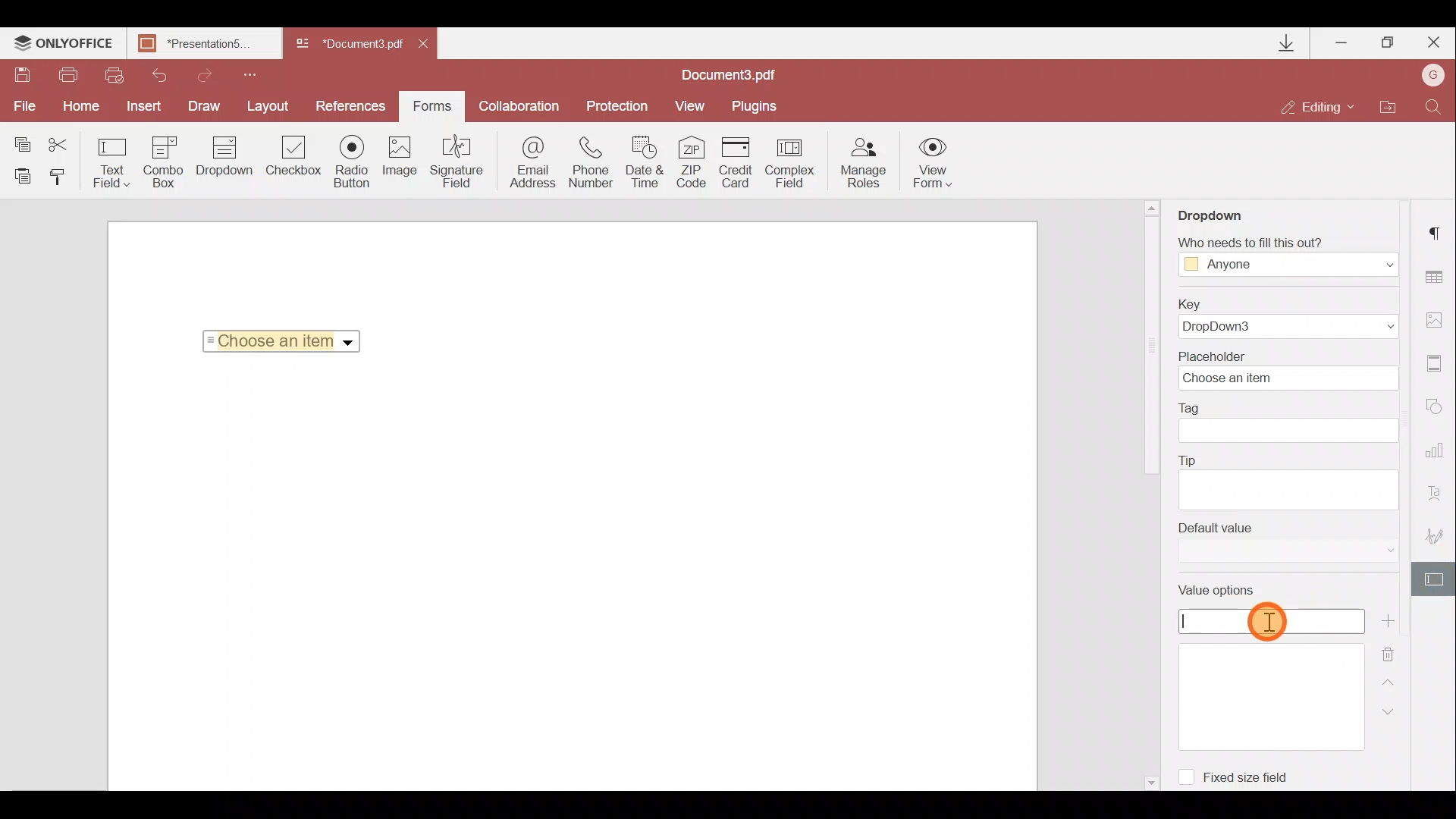 Image resolution: width=1456 pixels, height=819 pixels. I want to click on Document name, so click(347, 45).